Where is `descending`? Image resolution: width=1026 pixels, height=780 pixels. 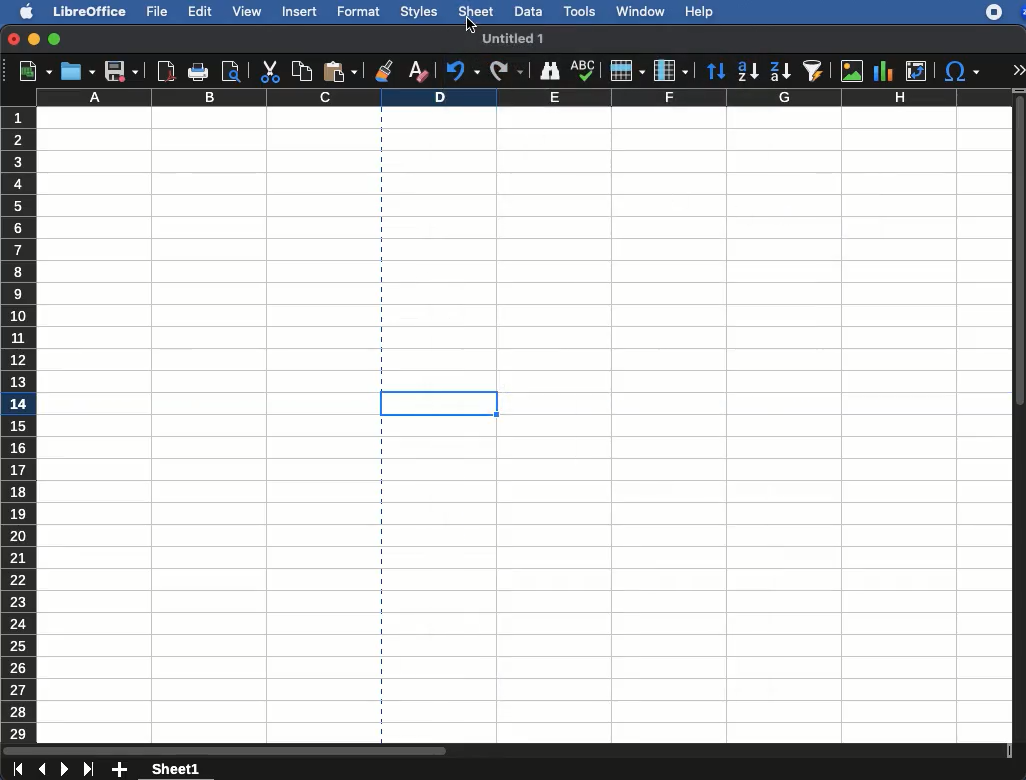 descending is located at coordinates (780, 73).